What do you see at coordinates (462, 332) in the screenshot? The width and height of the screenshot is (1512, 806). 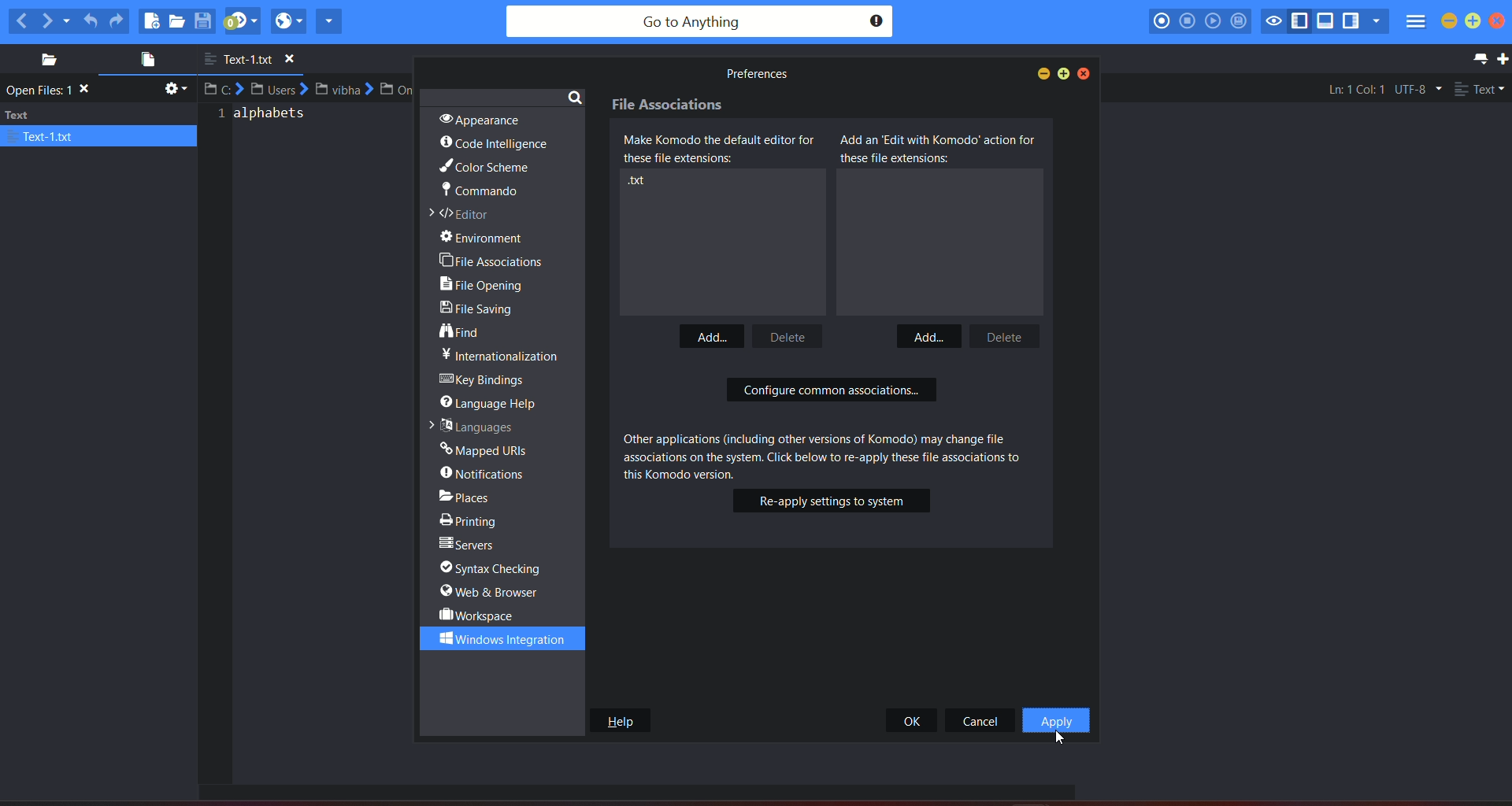 I see `find` at bounding box center [462, 332].